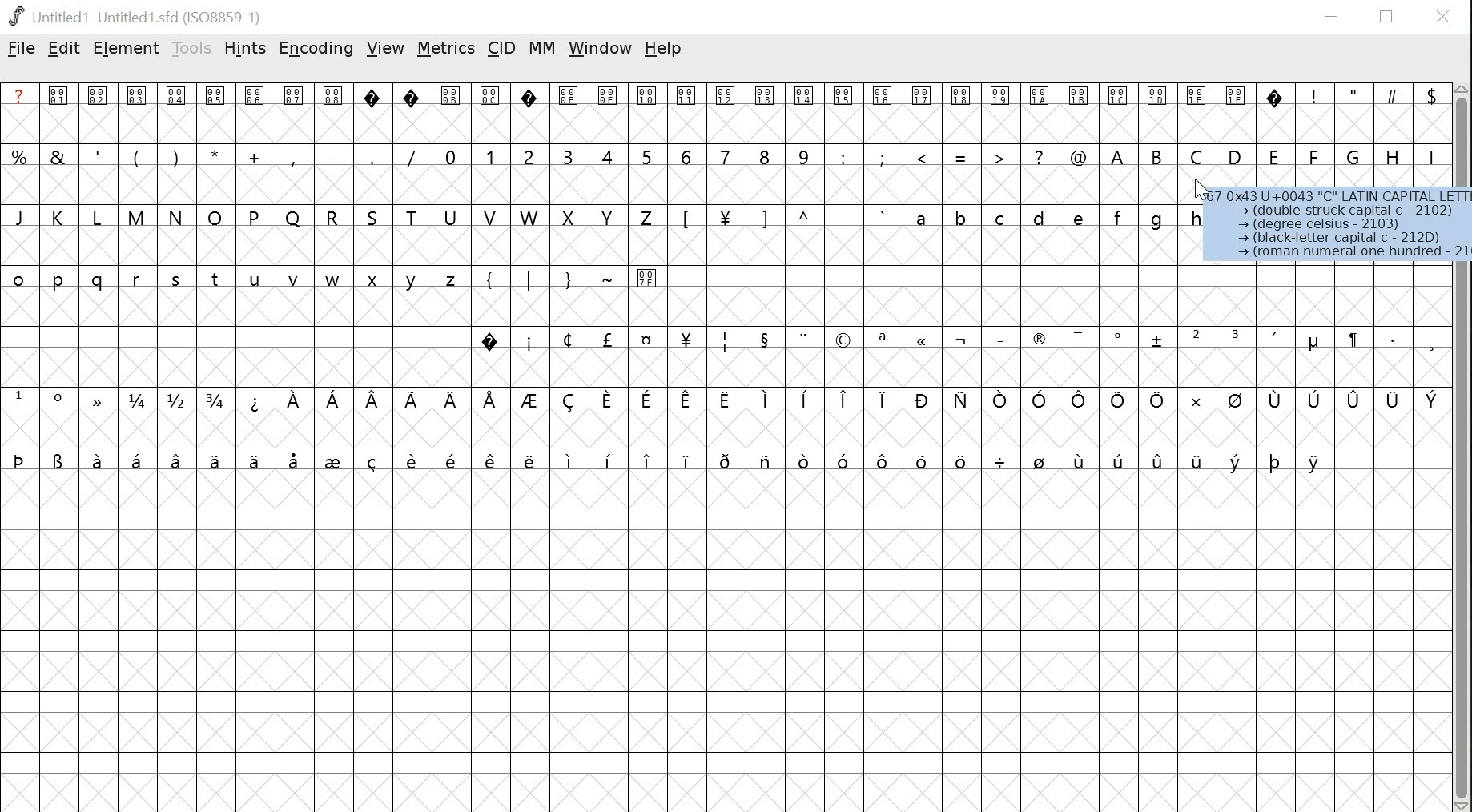 The image size is (1472, 812). What do you see at coordinates (720, 281) in the screenshot?
I see `glyphs` at bounding box center [720, 281].